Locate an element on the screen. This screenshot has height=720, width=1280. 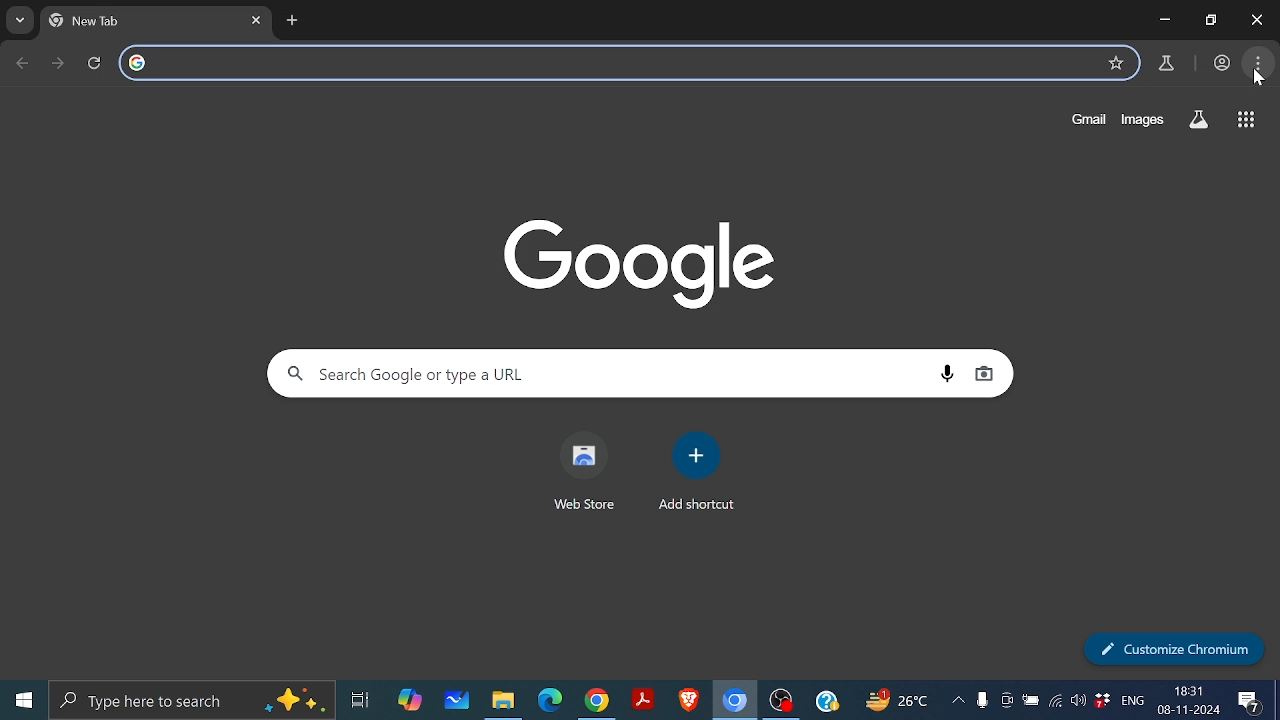
close window is located at coordinates (1256, 19).